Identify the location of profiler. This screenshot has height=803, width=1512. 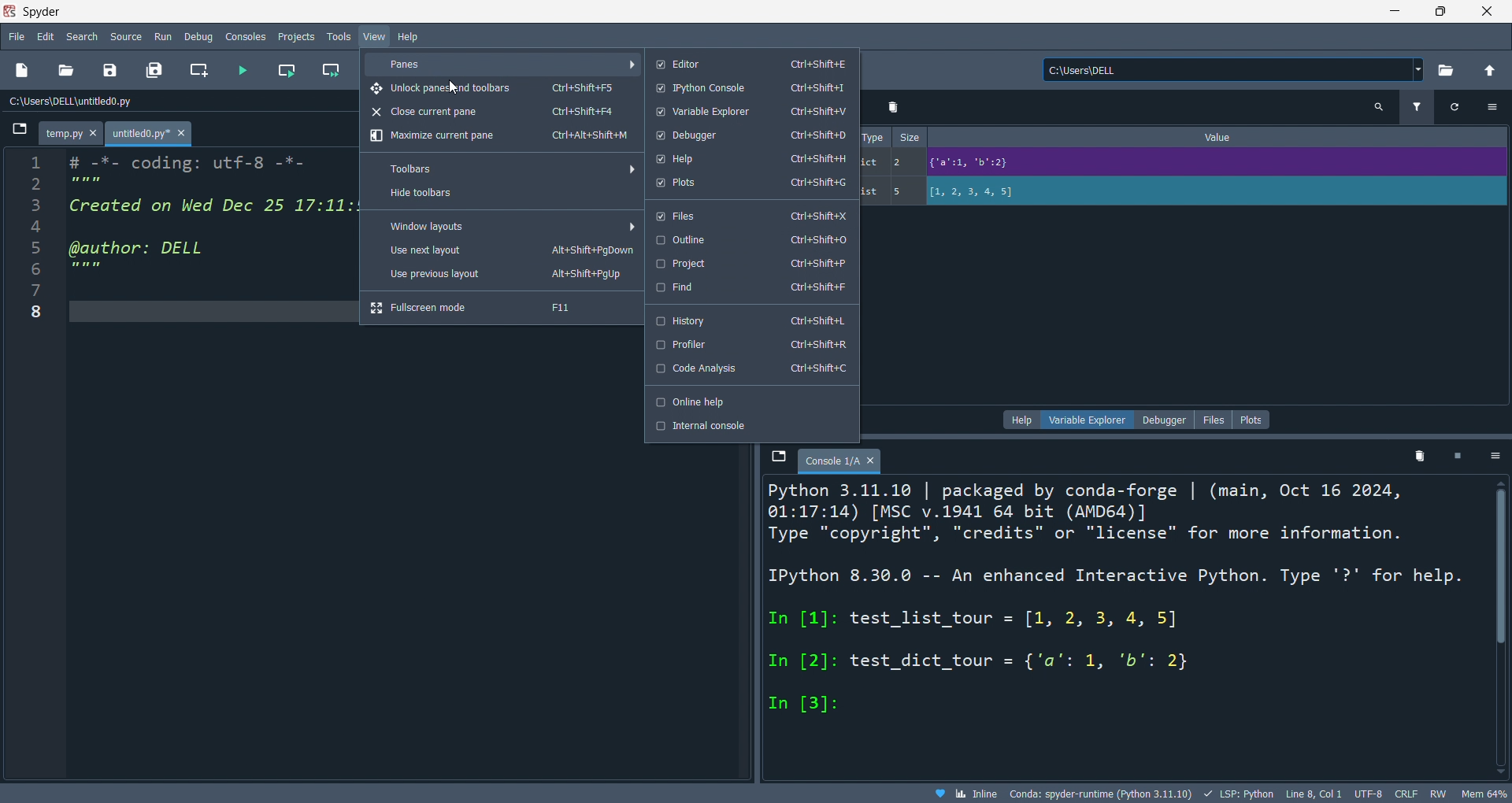
(752, 345).